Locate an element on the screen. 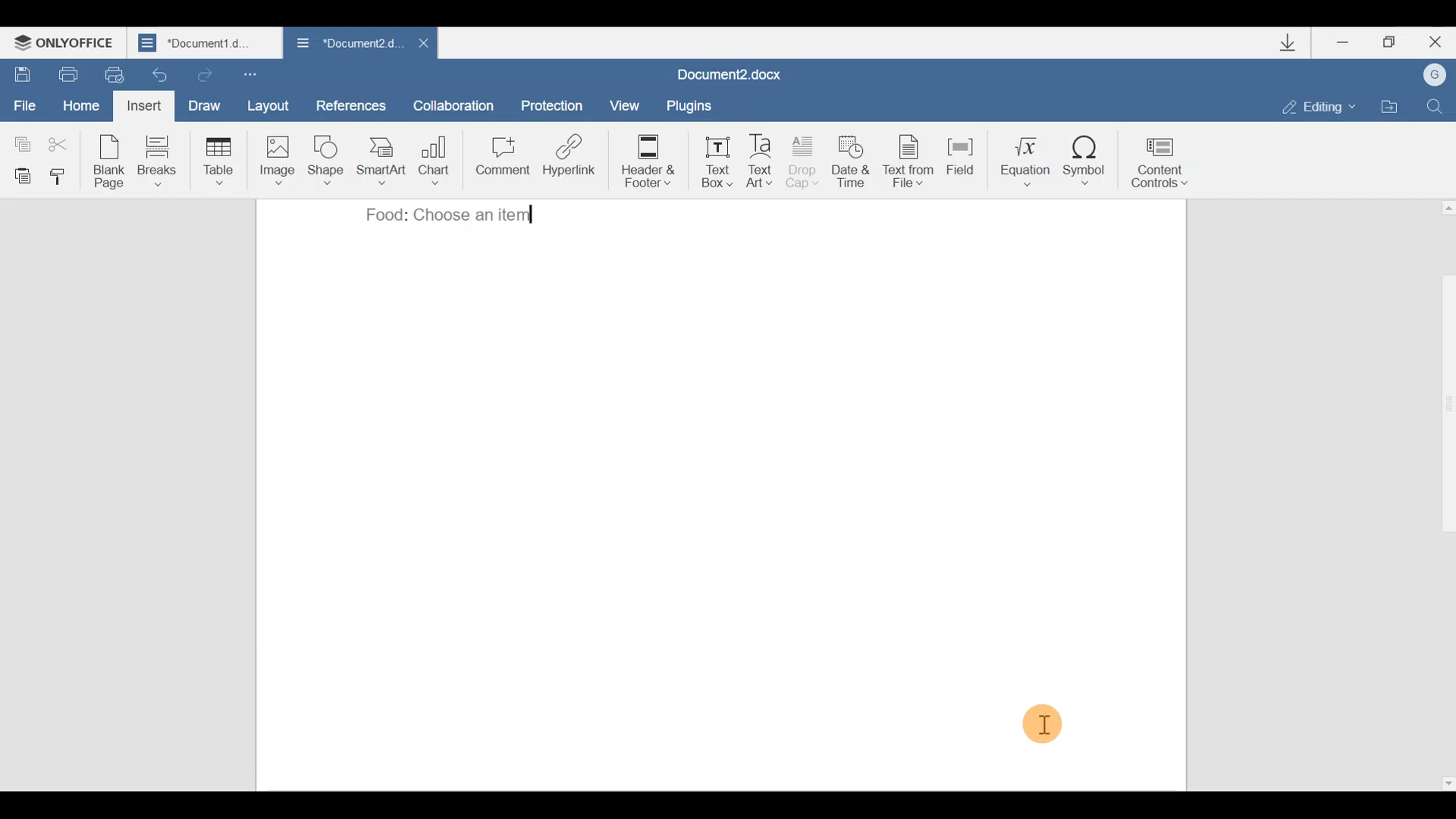  Layout is located at coordinates (273, 105).